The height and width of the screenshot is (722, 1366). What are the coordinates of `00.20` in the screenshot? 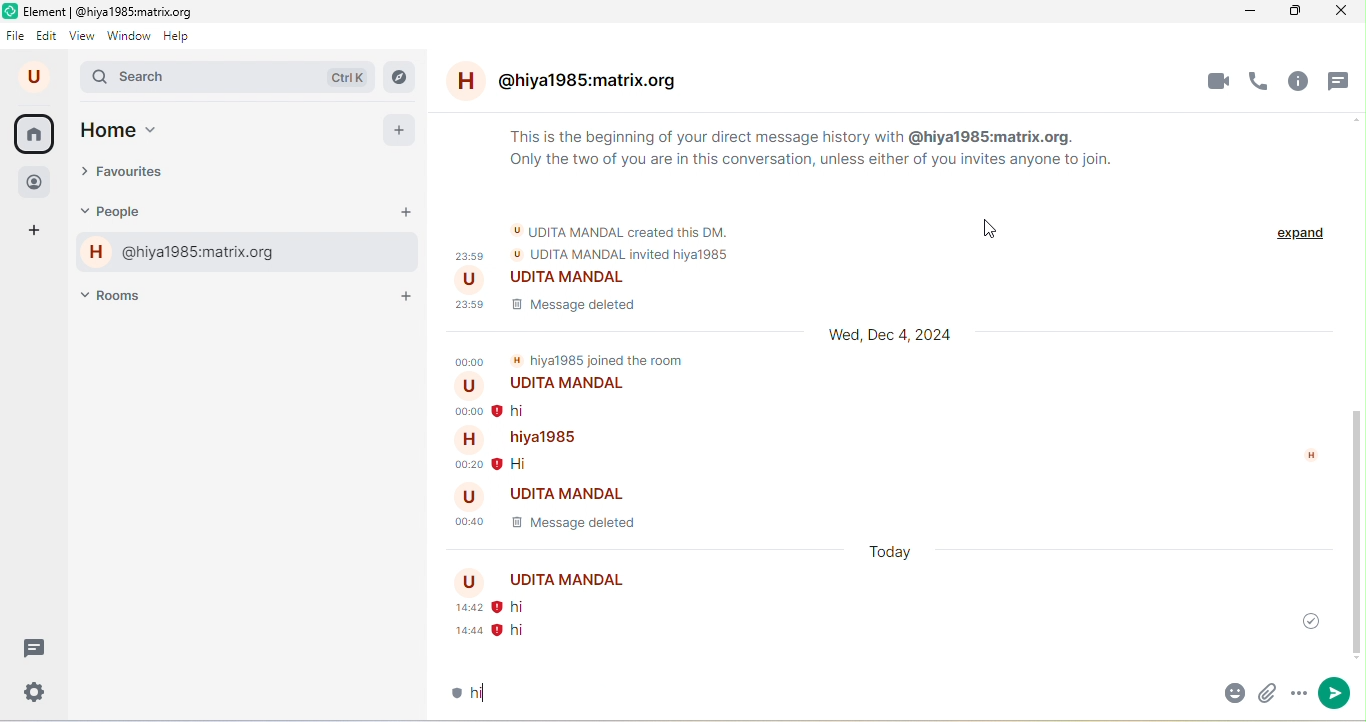 It's located at (462, 465).